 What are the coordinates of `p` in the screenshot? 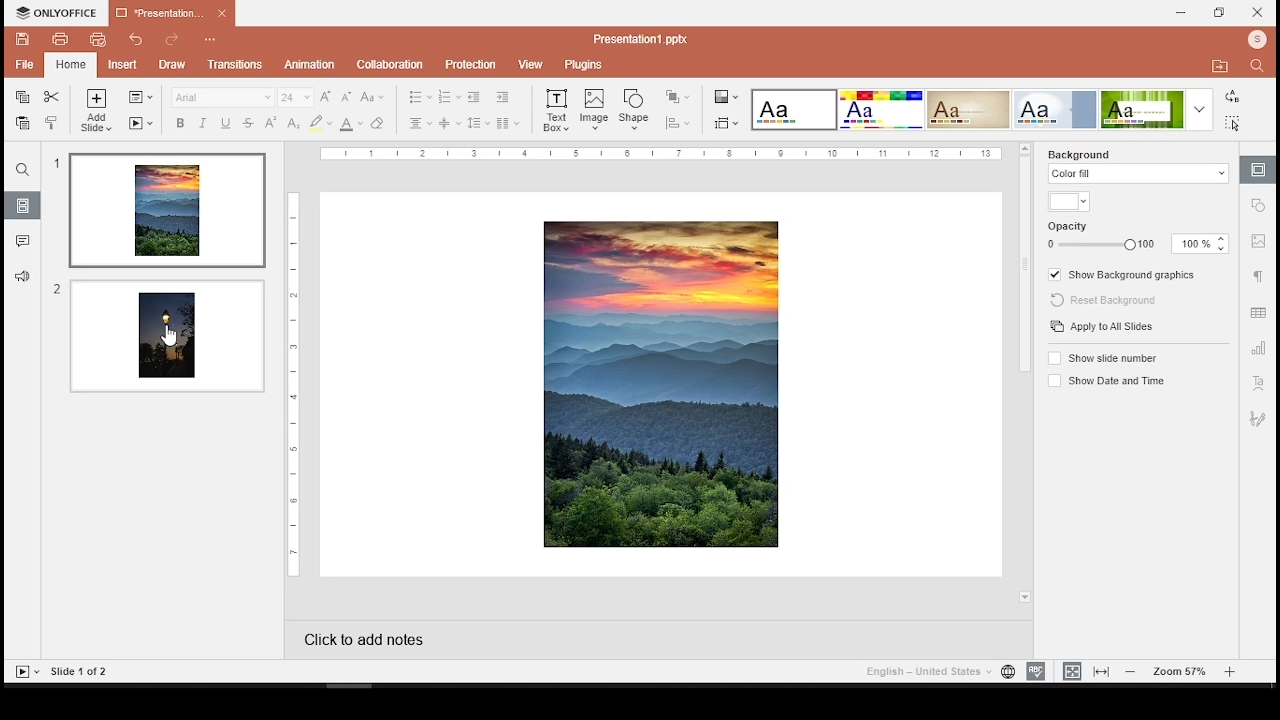 It's located at (468, 62).